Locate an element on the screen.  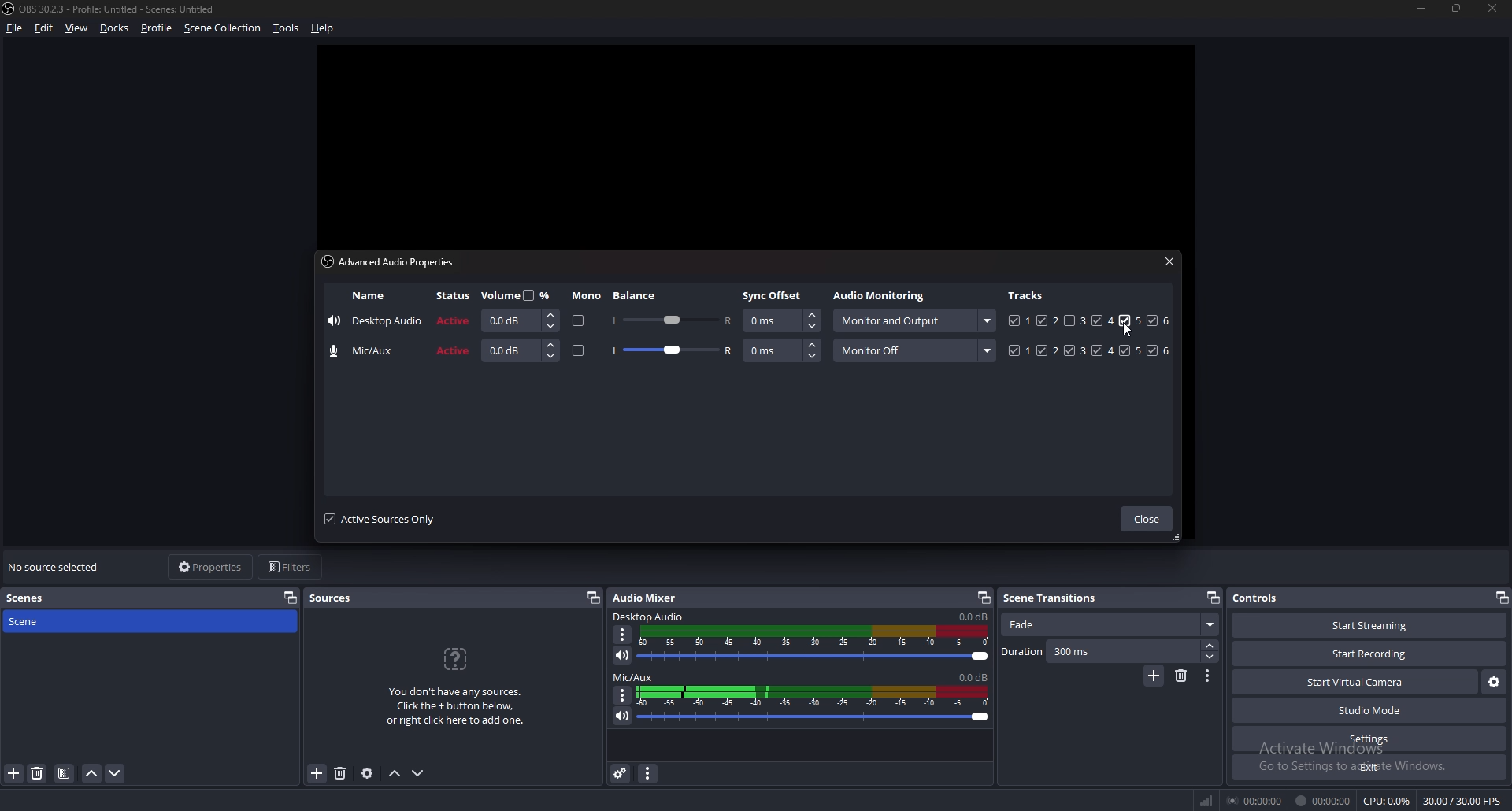
pop out is located at coordinates (984, 597).